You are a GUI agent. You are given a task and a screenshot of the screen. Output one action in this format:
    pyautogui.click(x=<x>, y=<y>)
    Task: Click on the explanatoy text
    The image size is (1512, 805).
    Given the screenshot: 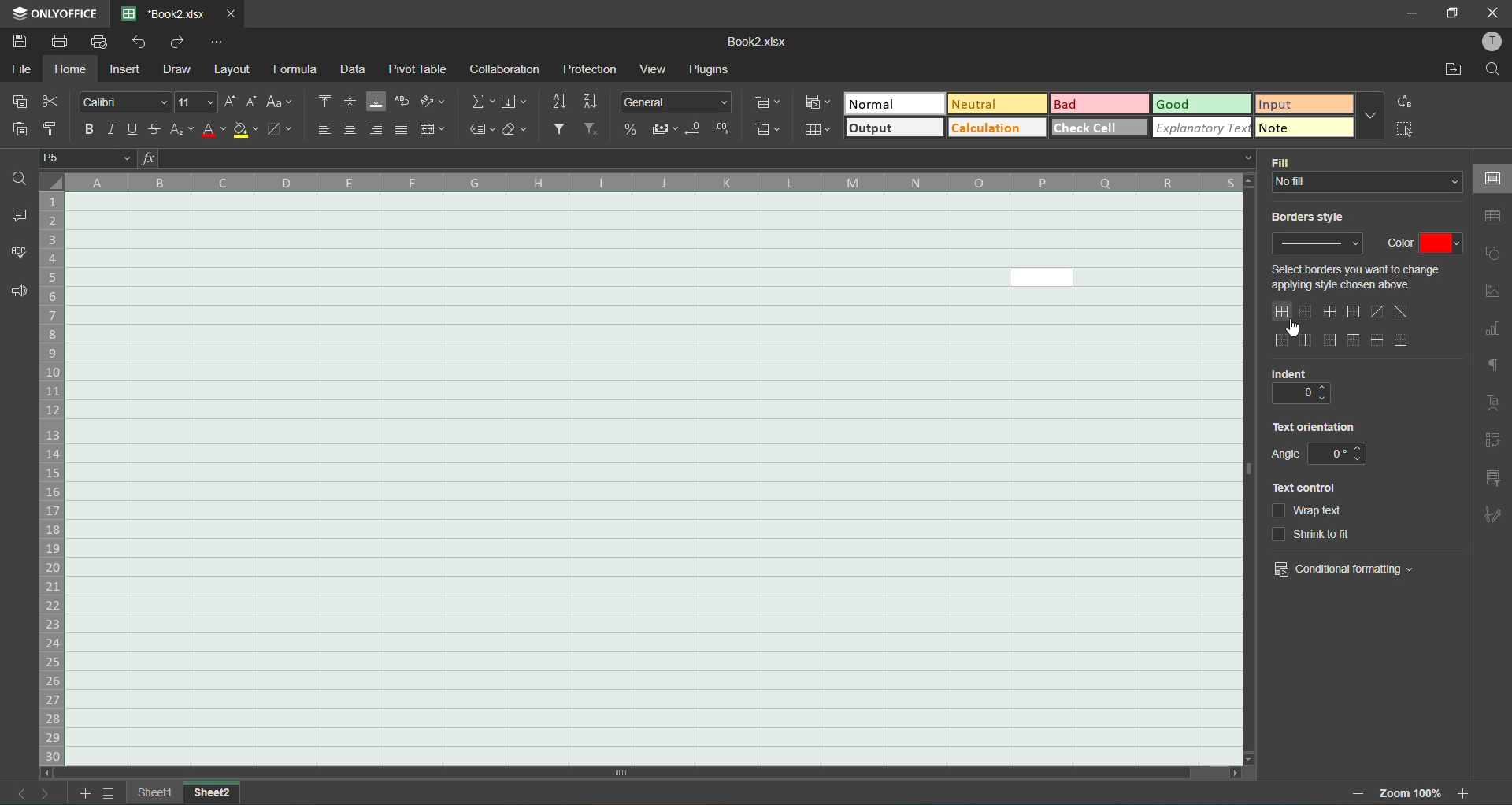 What is the action you would take?
    pyautogui.click(x=1199, y=127)
    